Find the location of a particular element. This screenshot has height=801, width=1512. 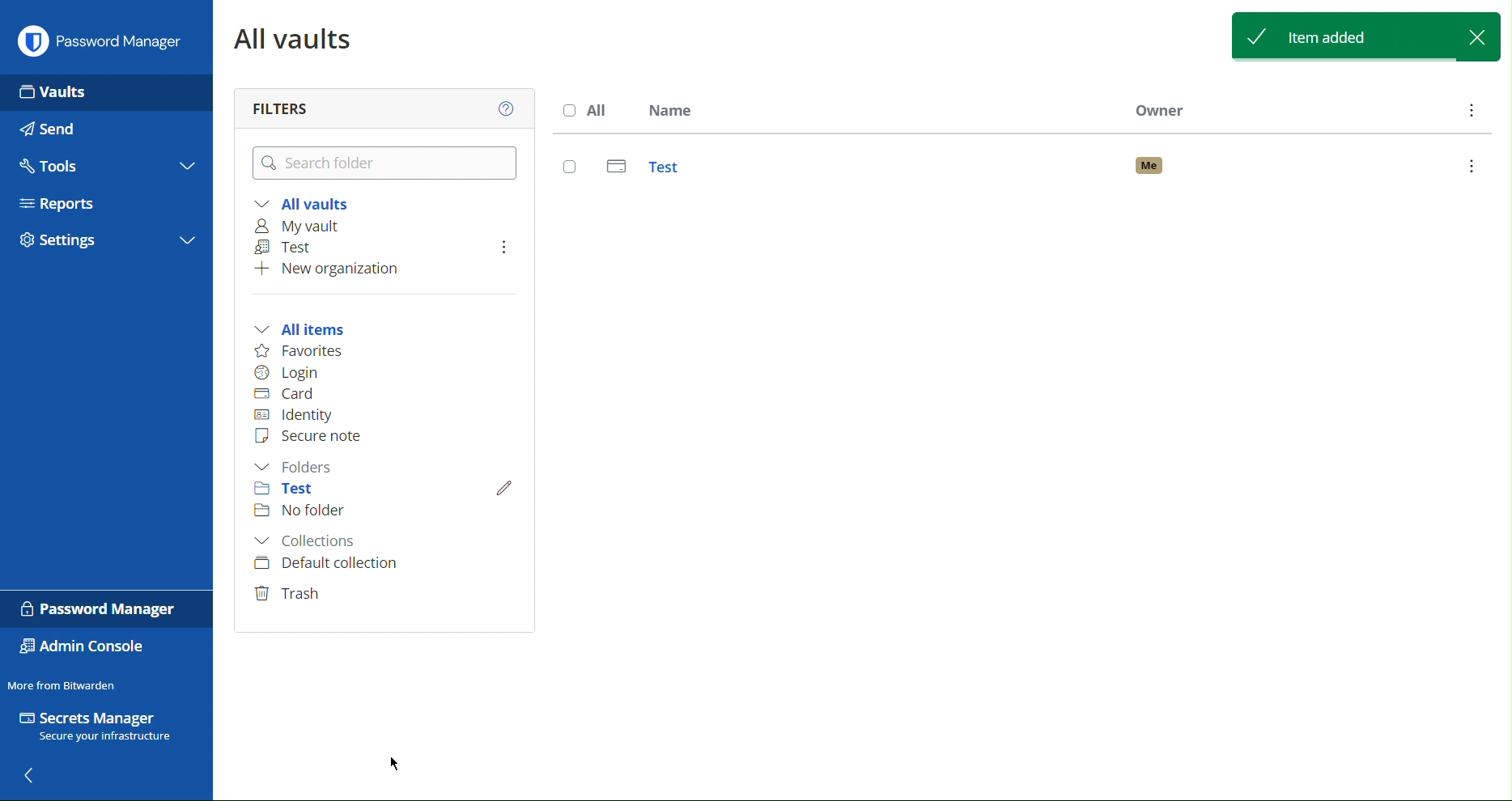

Filters is located at coordinates (281, 110).